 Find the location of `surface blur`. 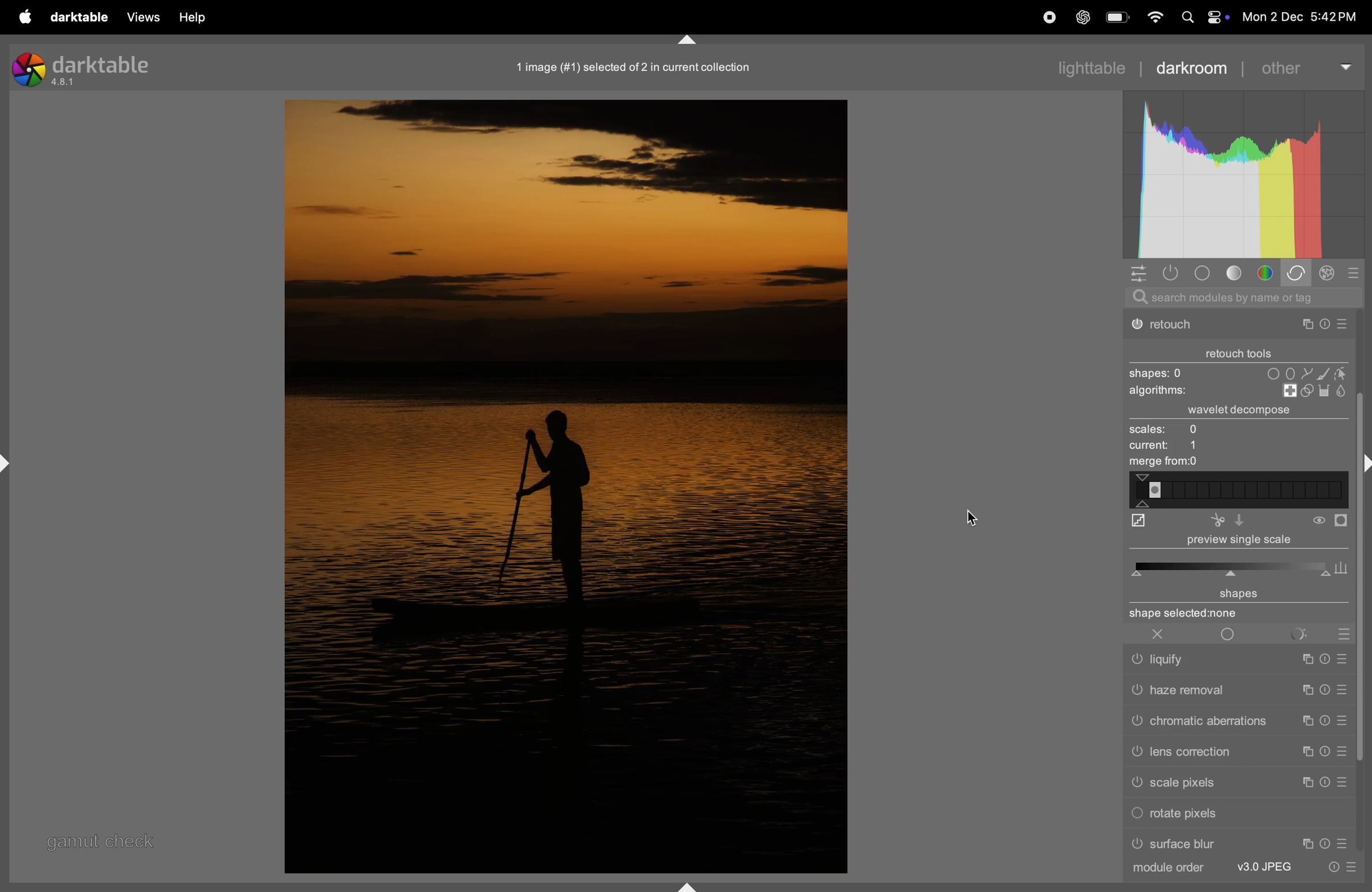

surface blur is located at coordinates (1241, 844).